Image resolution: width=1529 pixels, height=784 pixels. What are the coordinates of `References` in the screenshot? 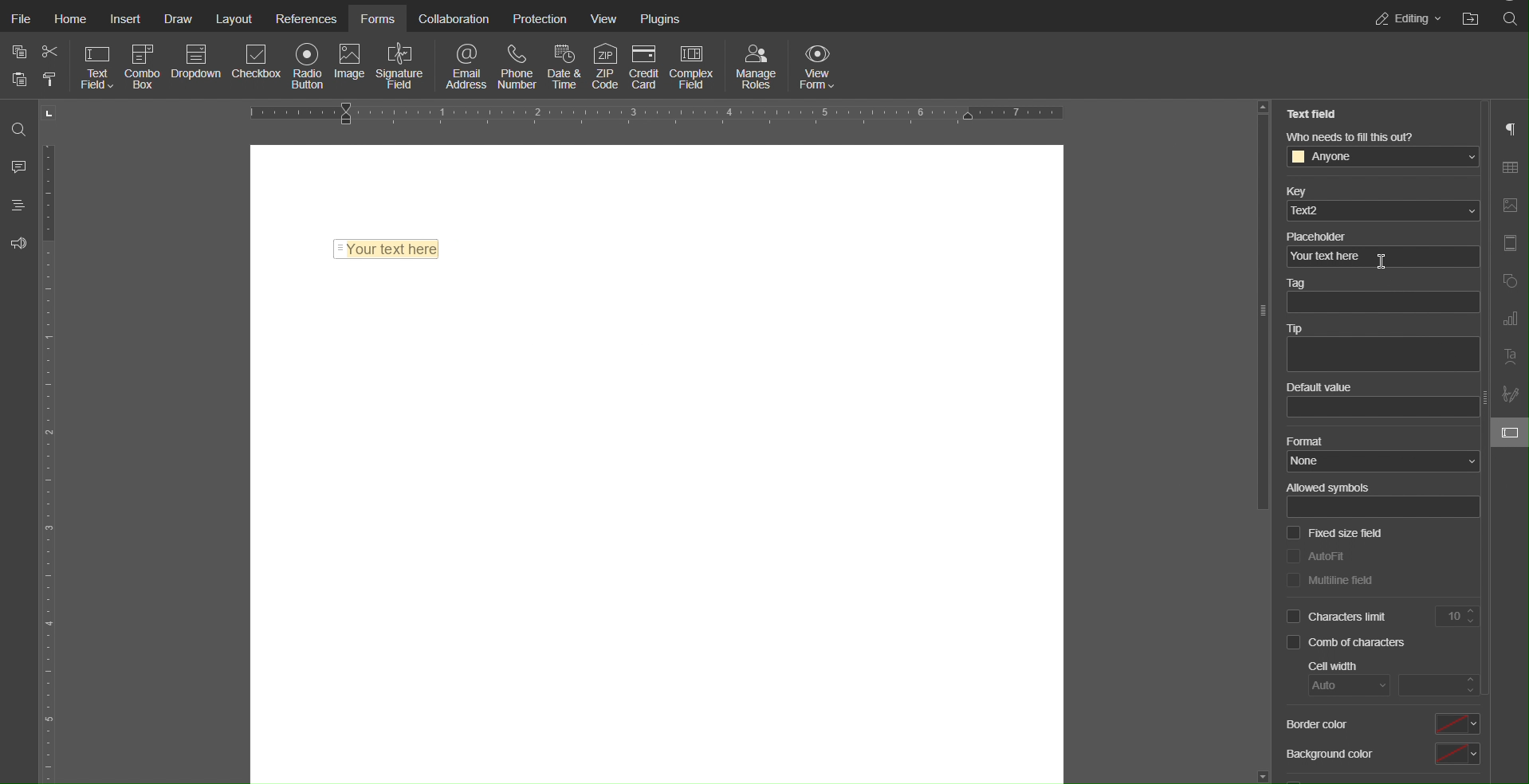 It's located at (305, 20).